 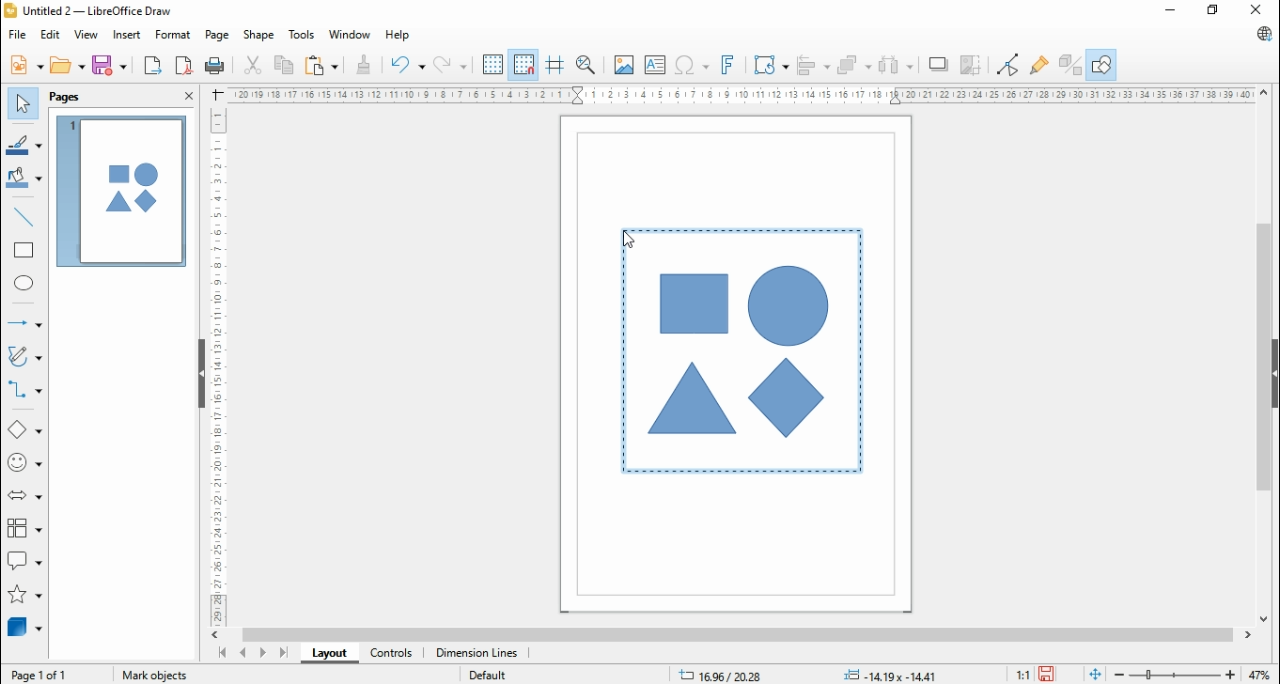 I want to click on edit, so click(x=52, y=35).